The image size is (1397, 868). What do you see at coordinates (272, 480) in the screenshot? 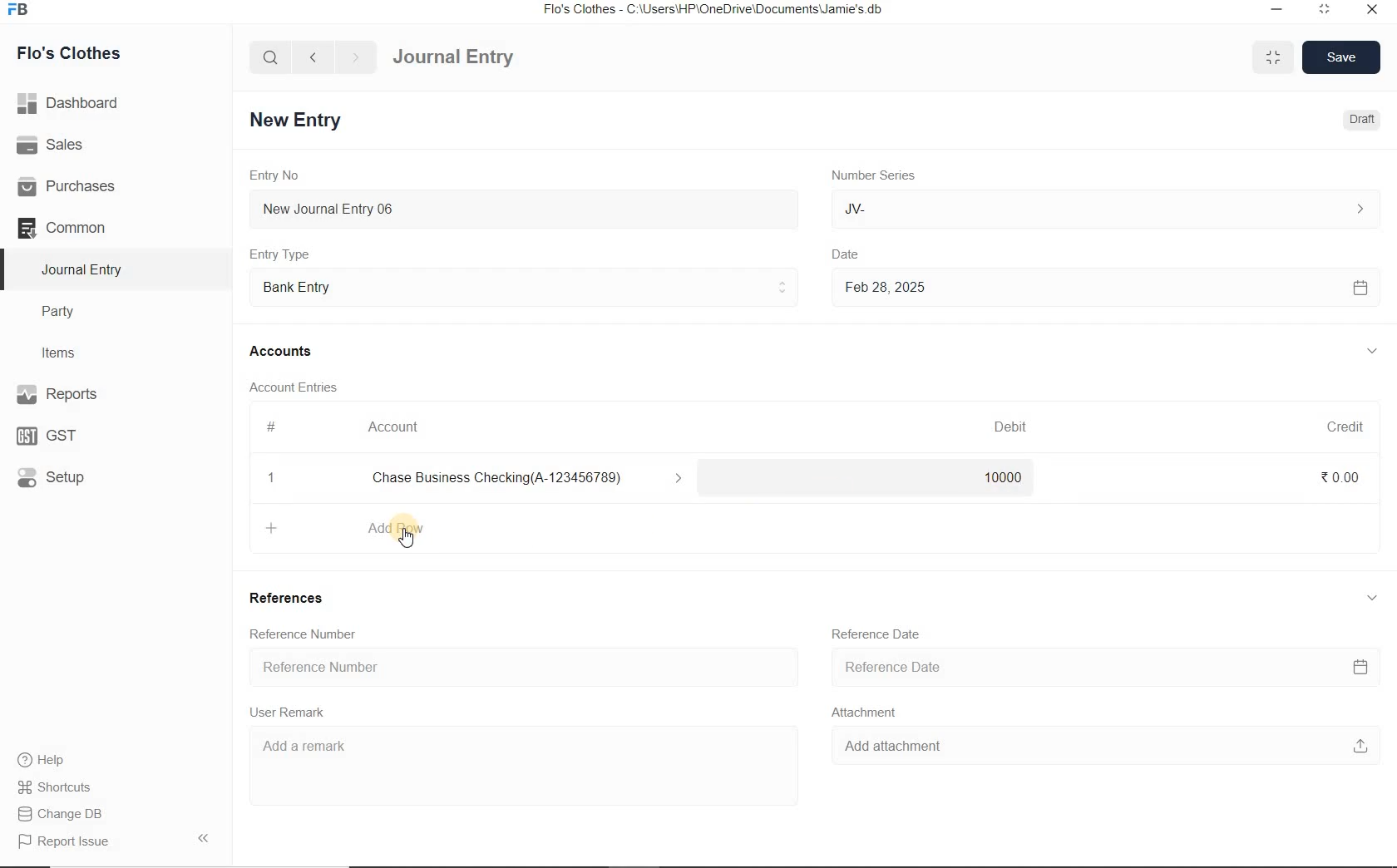
I see `1` at bounding box center [272, 480].